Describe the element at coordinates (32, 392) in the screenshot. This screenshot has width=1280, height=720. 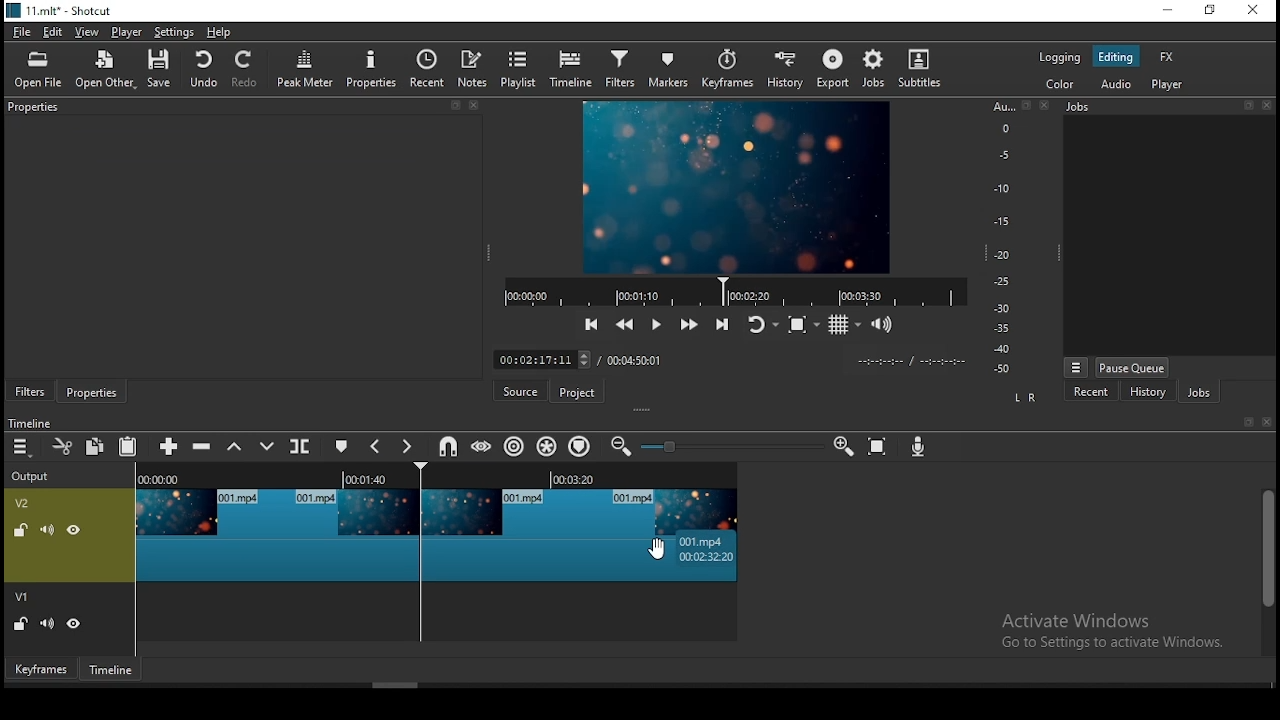
I see `filters` at that location.